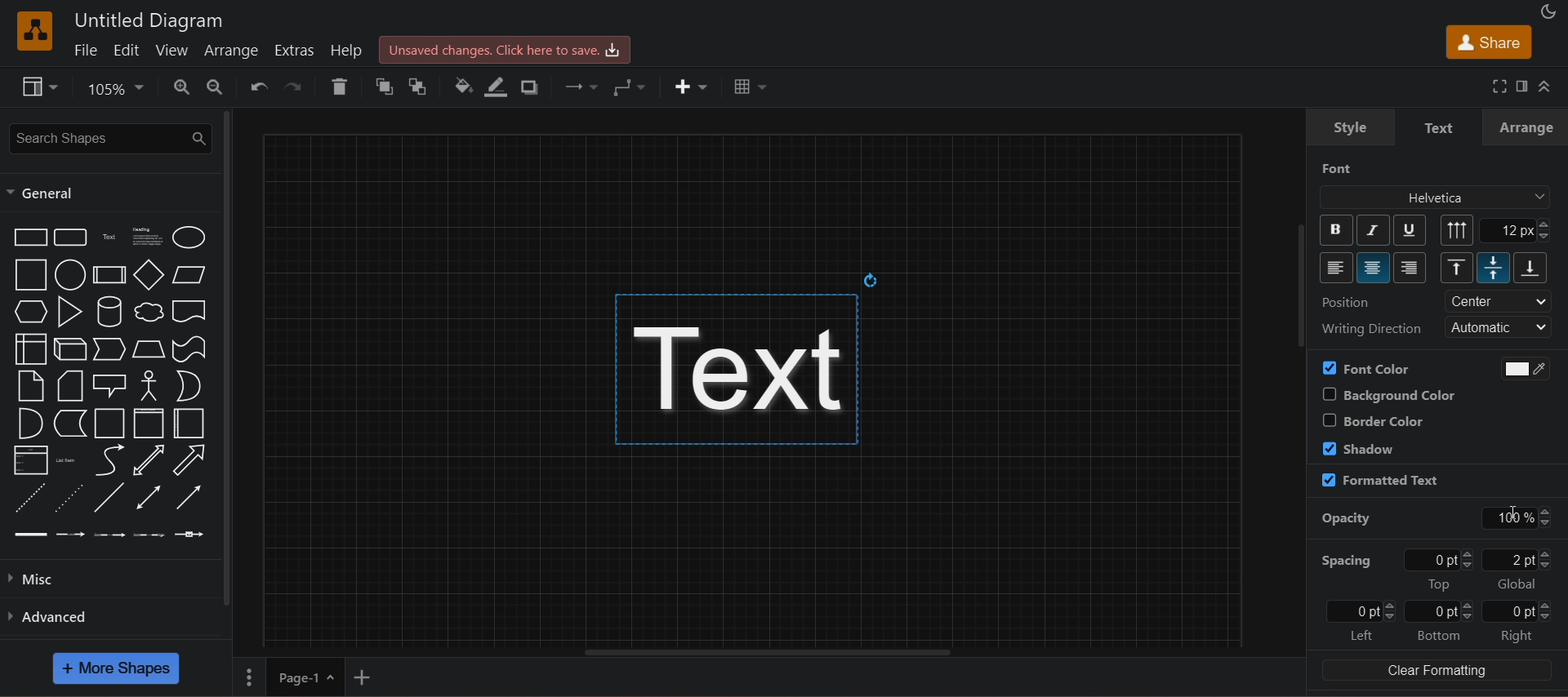 The height and width of the screenshot is (697, 1568). Describe the element at coordinates (1497, 85) in the screenshot. I see `fullscreen` at that location.